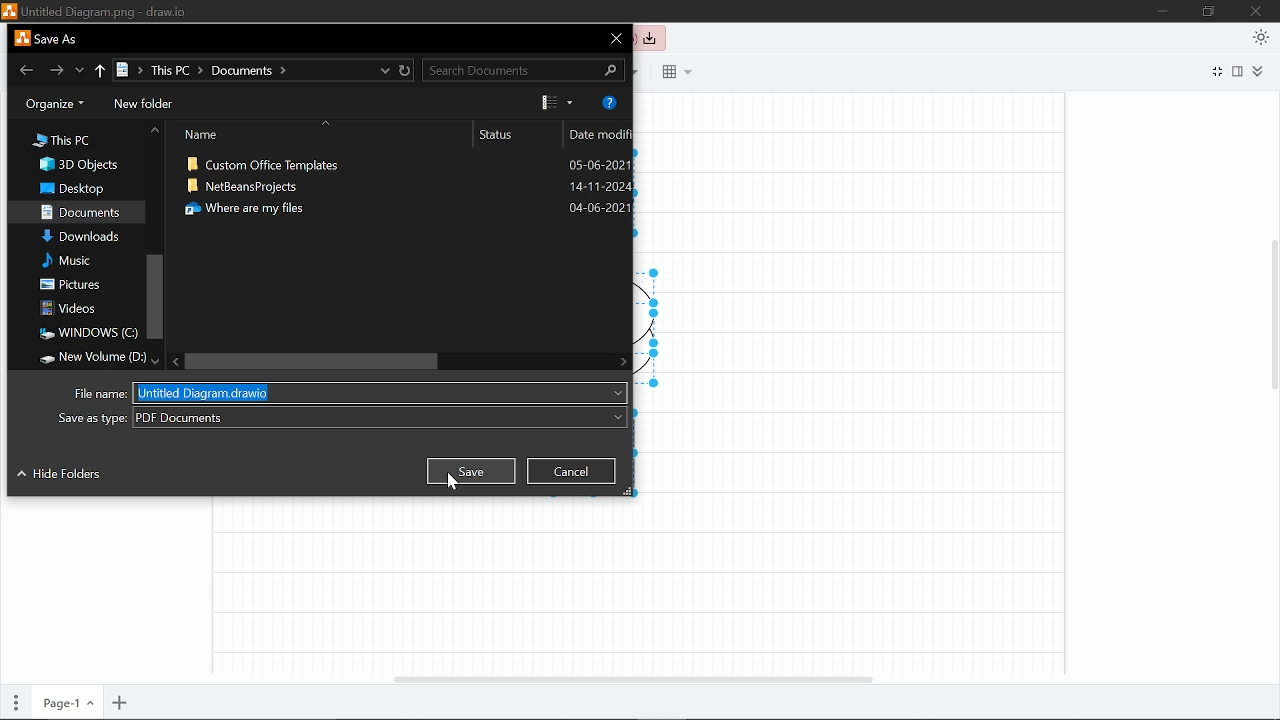 Image resolution: width=1280 pixels, height=720 pixels. Describe the element at coordinates (622, 361) in the screenshot. I see `Move right in "Documents"` at that location.